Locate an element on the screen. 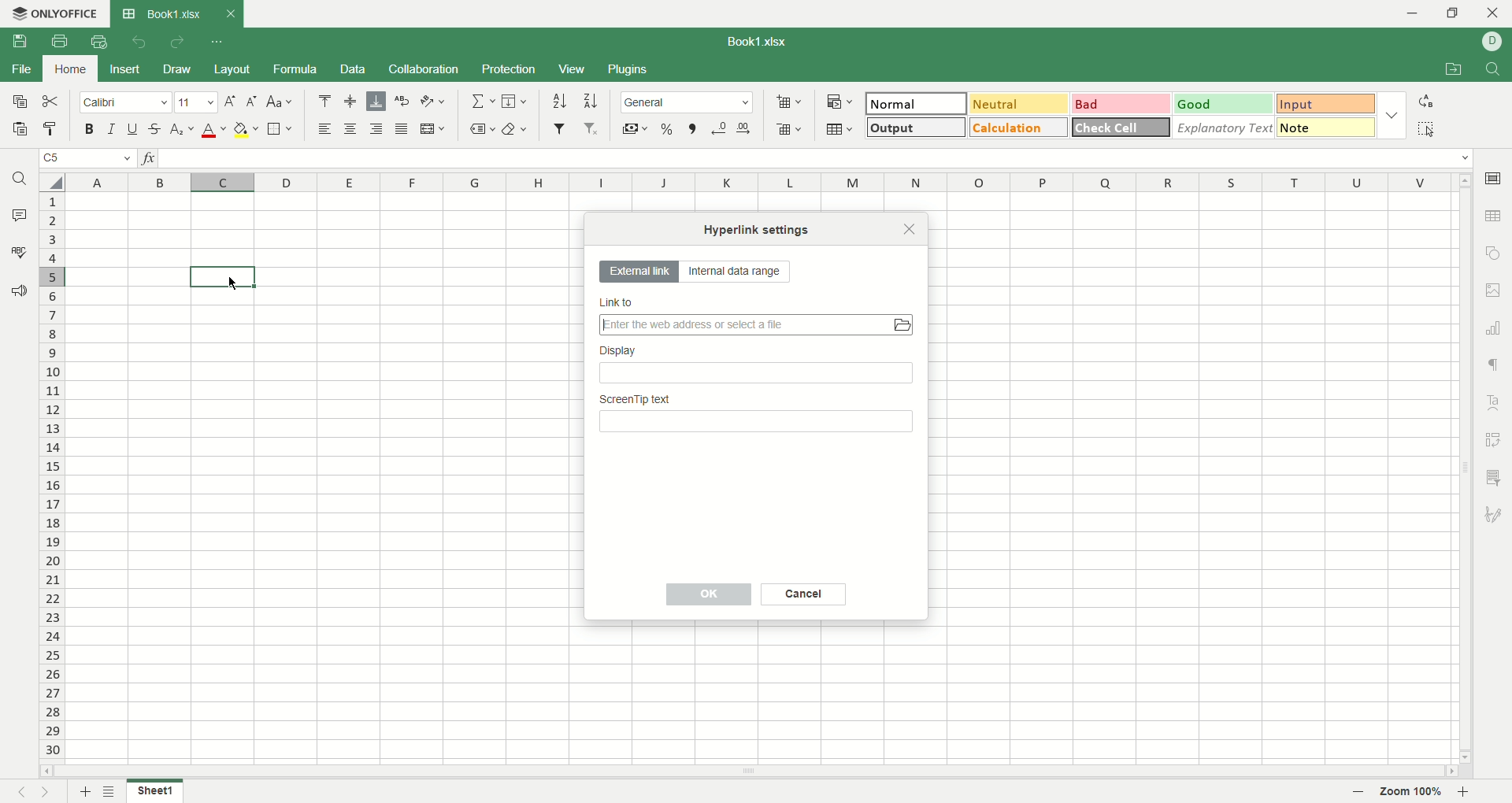 The width and height of the screenshot is (1512, 803). good is located at coordinates (1220, 103).